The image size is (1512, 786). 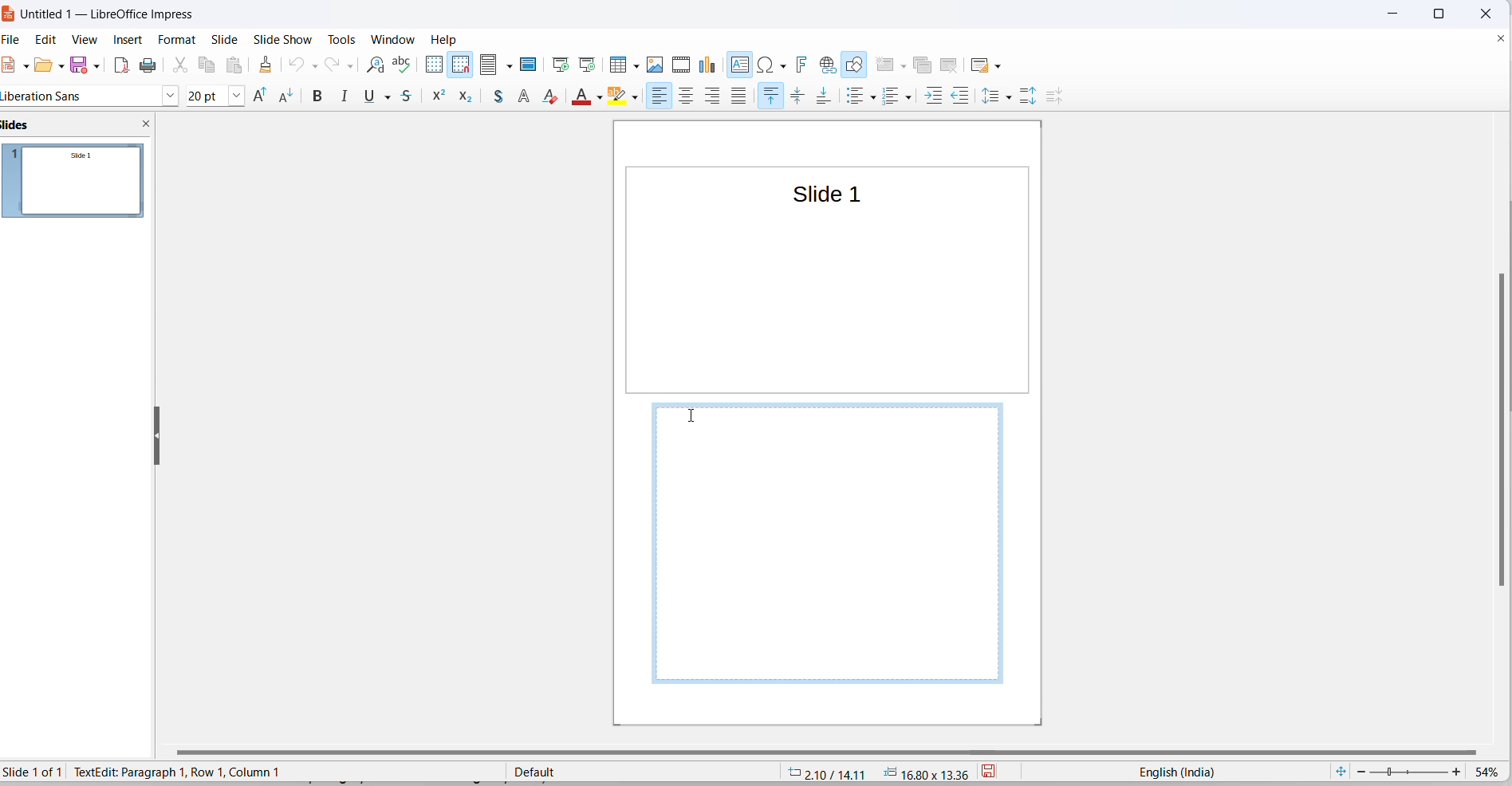 I want to click on find and replace, so click(x=375, y=65).